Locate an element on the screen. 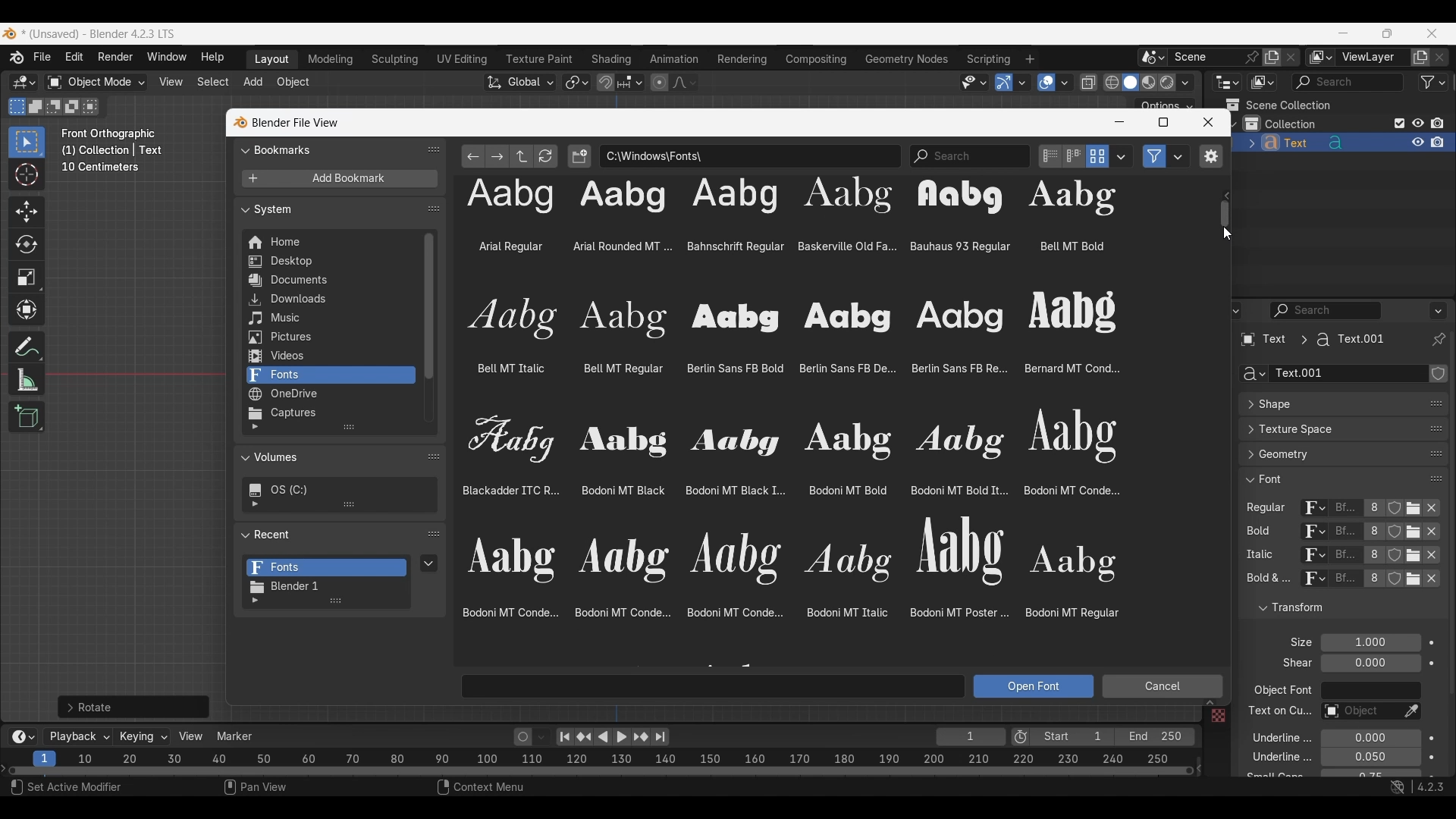 This screenshot has height=819, width=1456. 10 20 30 40 50 60 70 80 90 100 110 120 130 140 150 160 170 180 190 200 210 220 230 240 250 is located at coordinates (627, 757).